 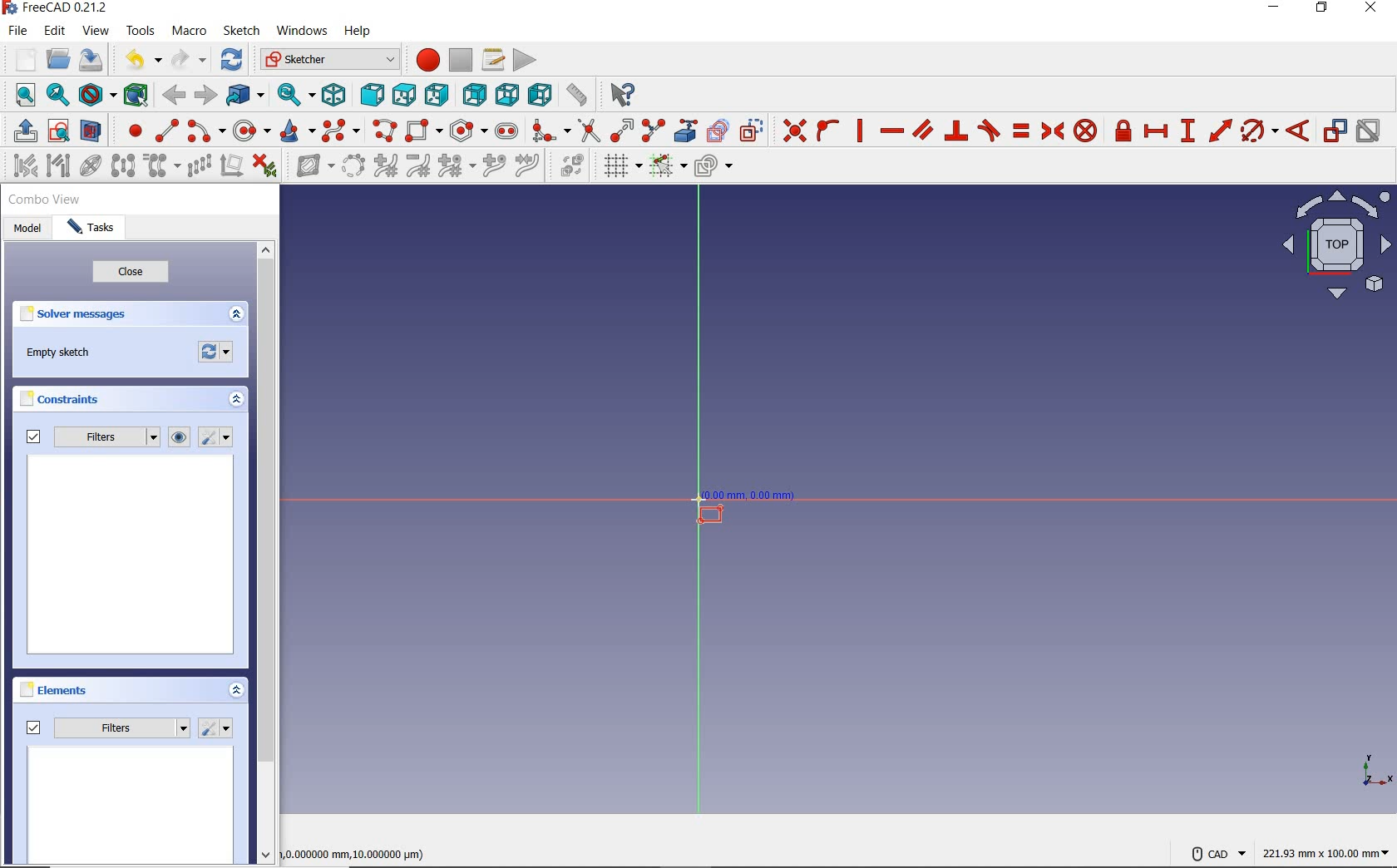 What do you see at coordinates (337, 95) in the screenshot?
I see `isometric` at bounding box center [337, 95].